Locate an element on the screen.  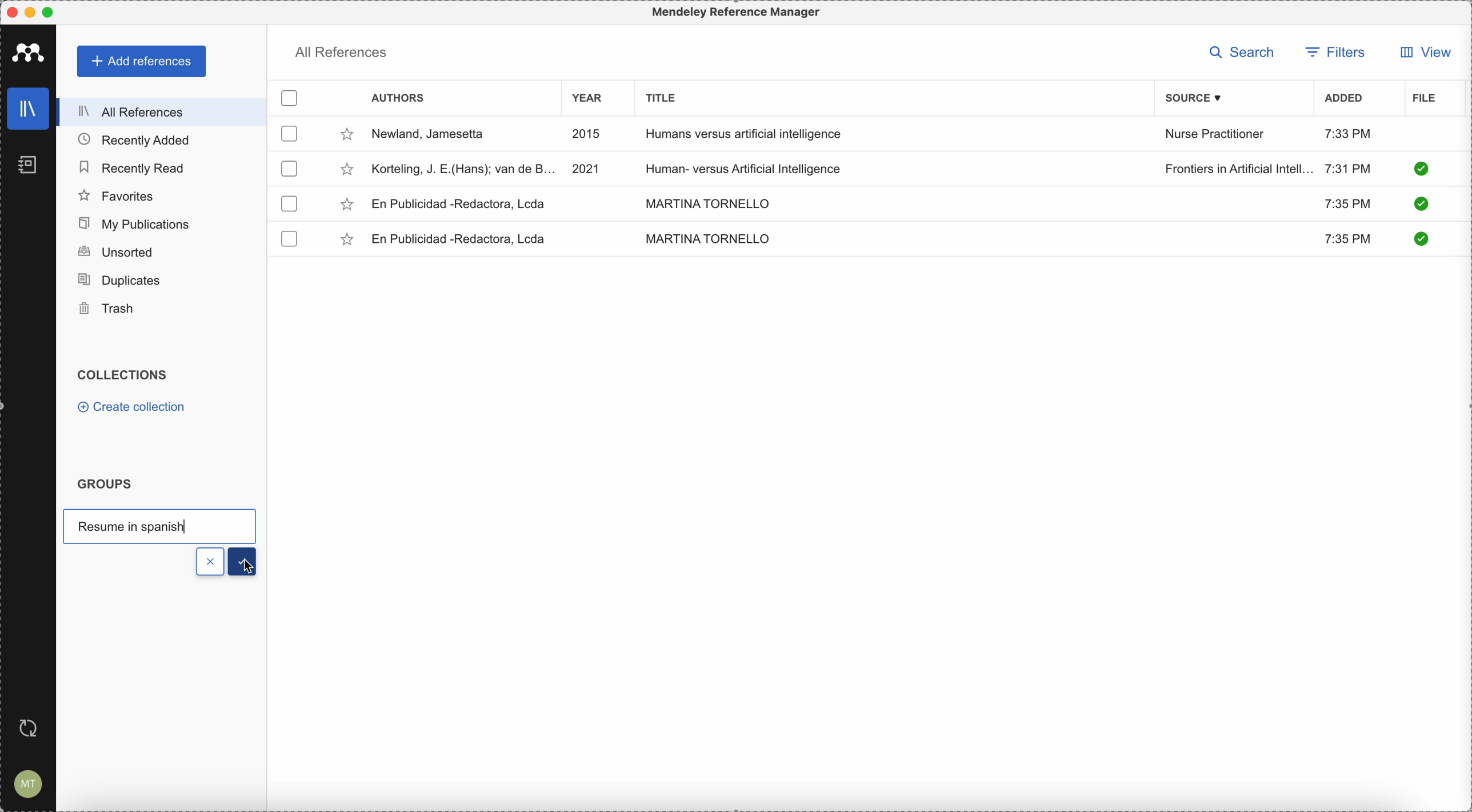
7:35 PM is located at coordinates (1346, 202).